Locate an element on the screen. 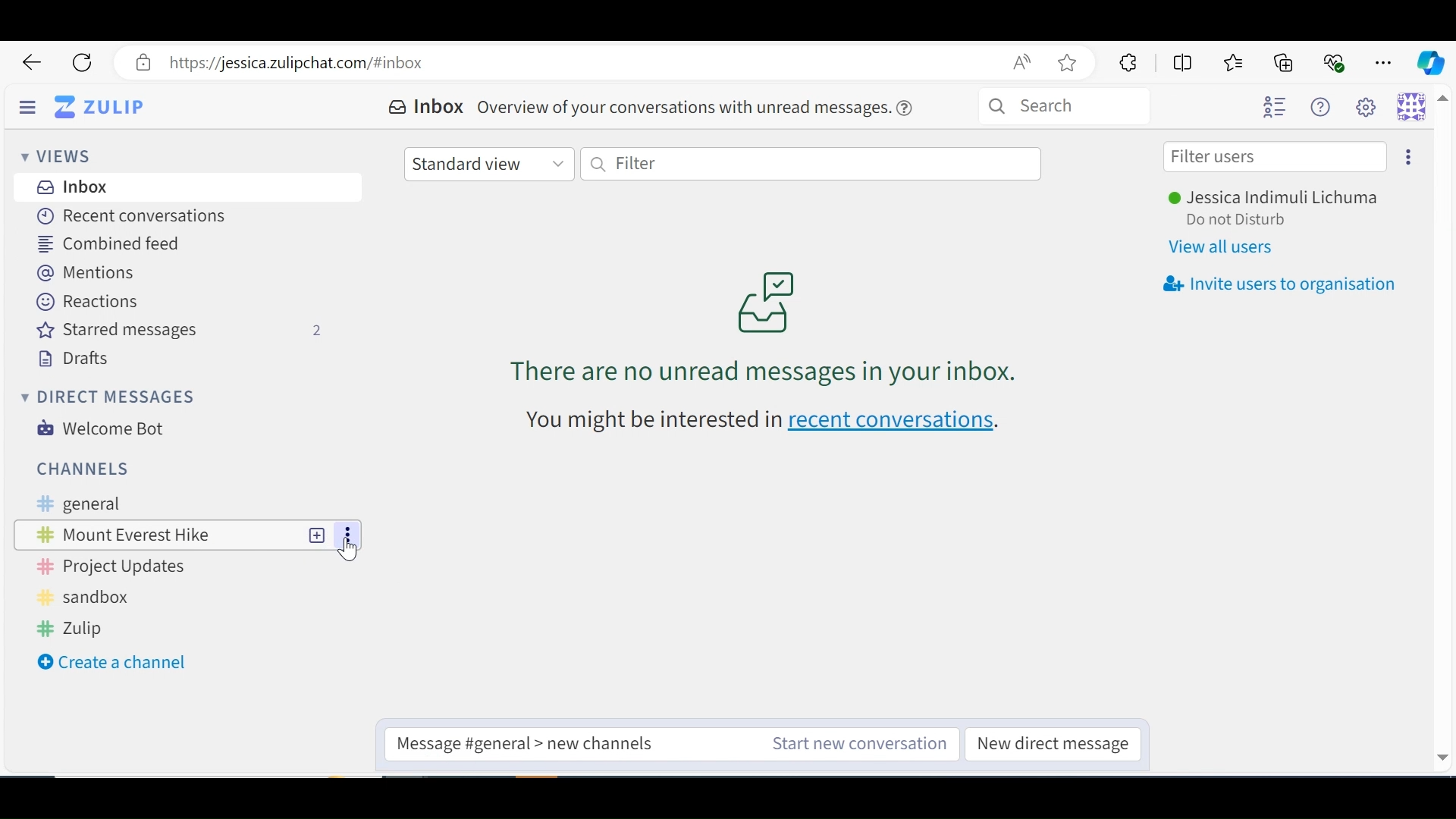 Image resolution: width=1456 pixels, height=819 pixels. Views is located at coordinates (55, 155).